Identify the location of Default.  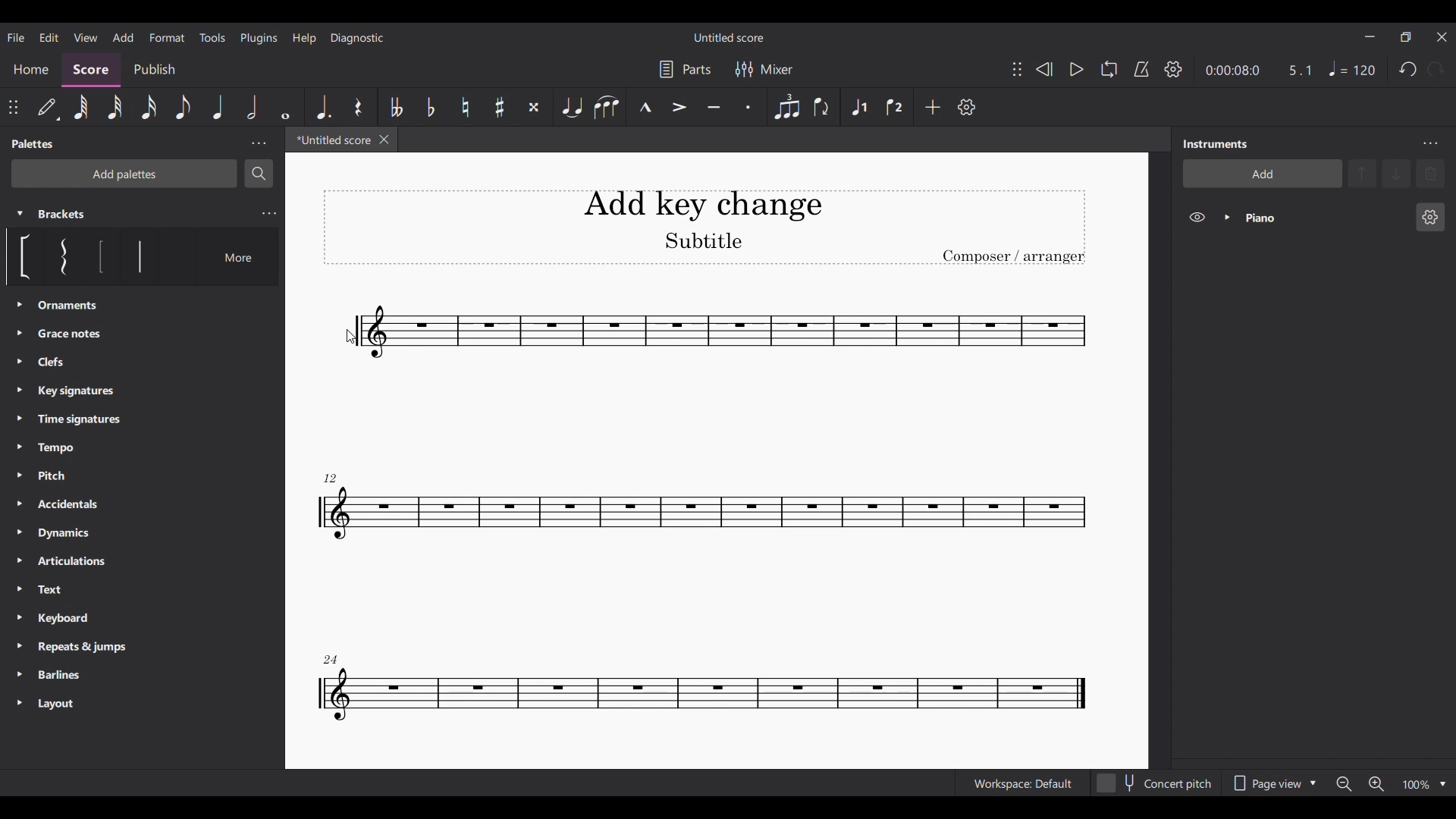
(48, 108).